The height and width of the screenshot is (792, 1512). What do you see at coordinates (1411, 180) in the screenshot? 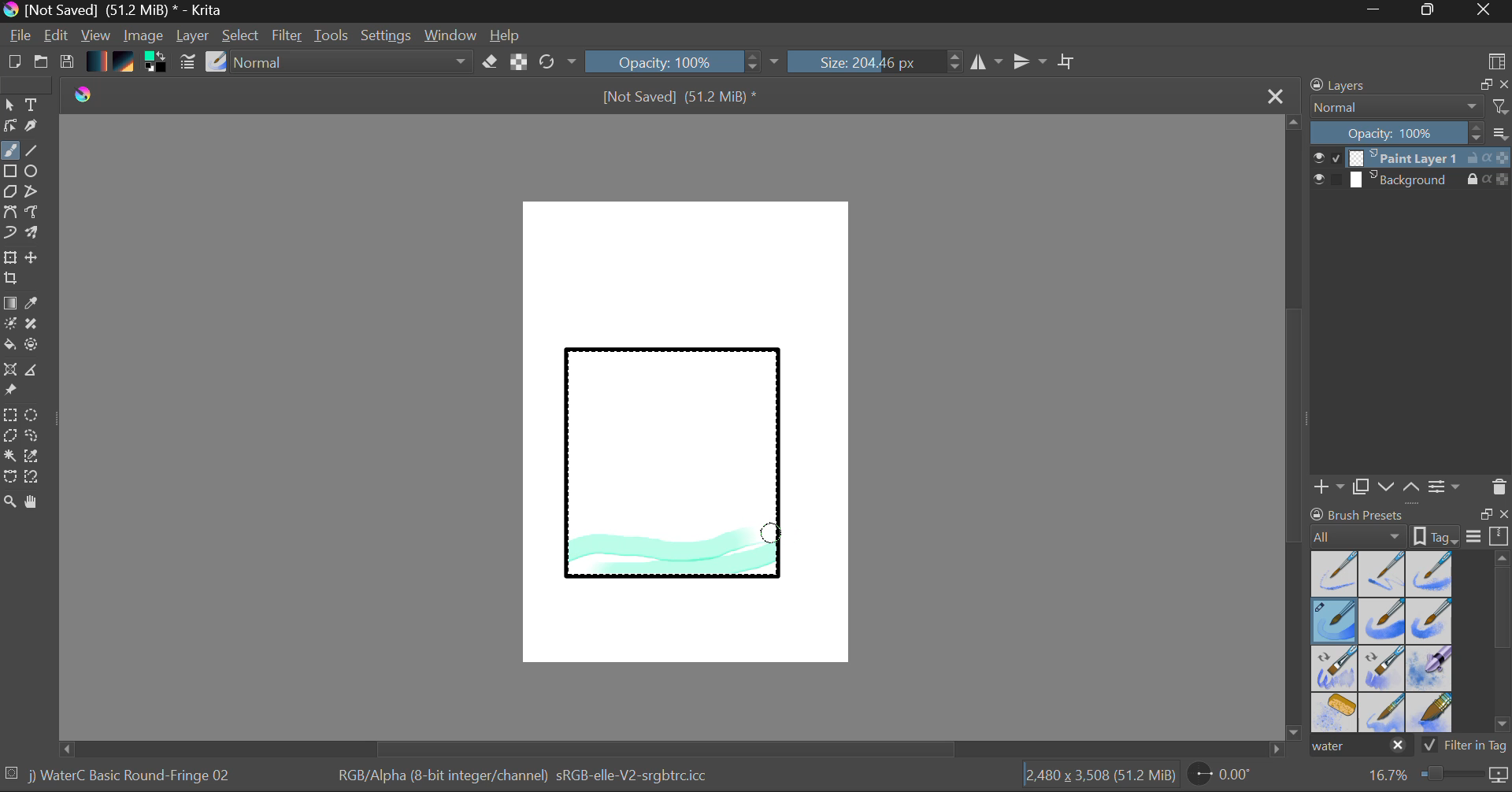
I see `Background Layer` at bounding box center [1411, 180].